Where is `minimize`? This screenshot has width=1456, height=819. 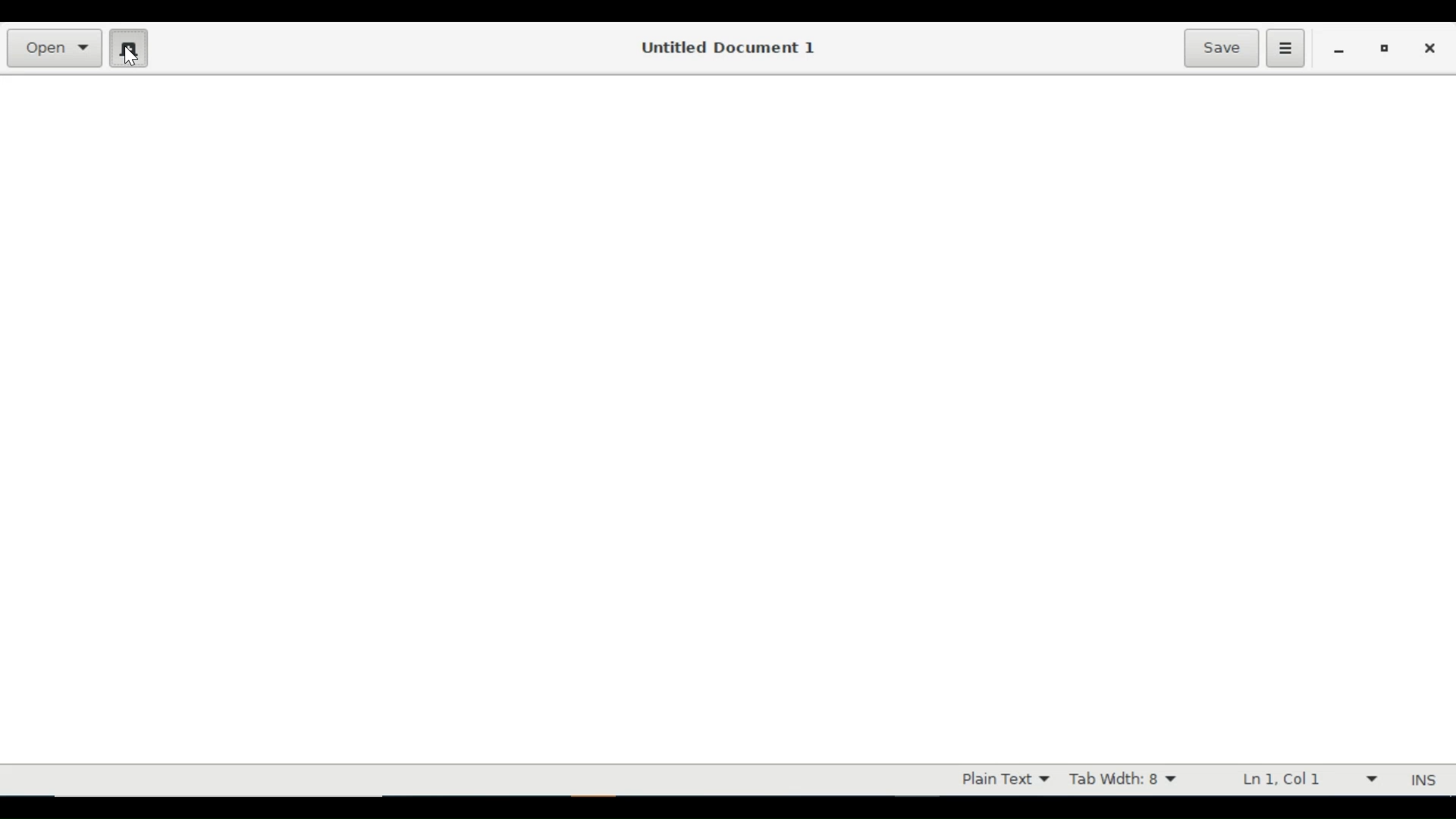 minimize is located at coordinates (1339, 50).